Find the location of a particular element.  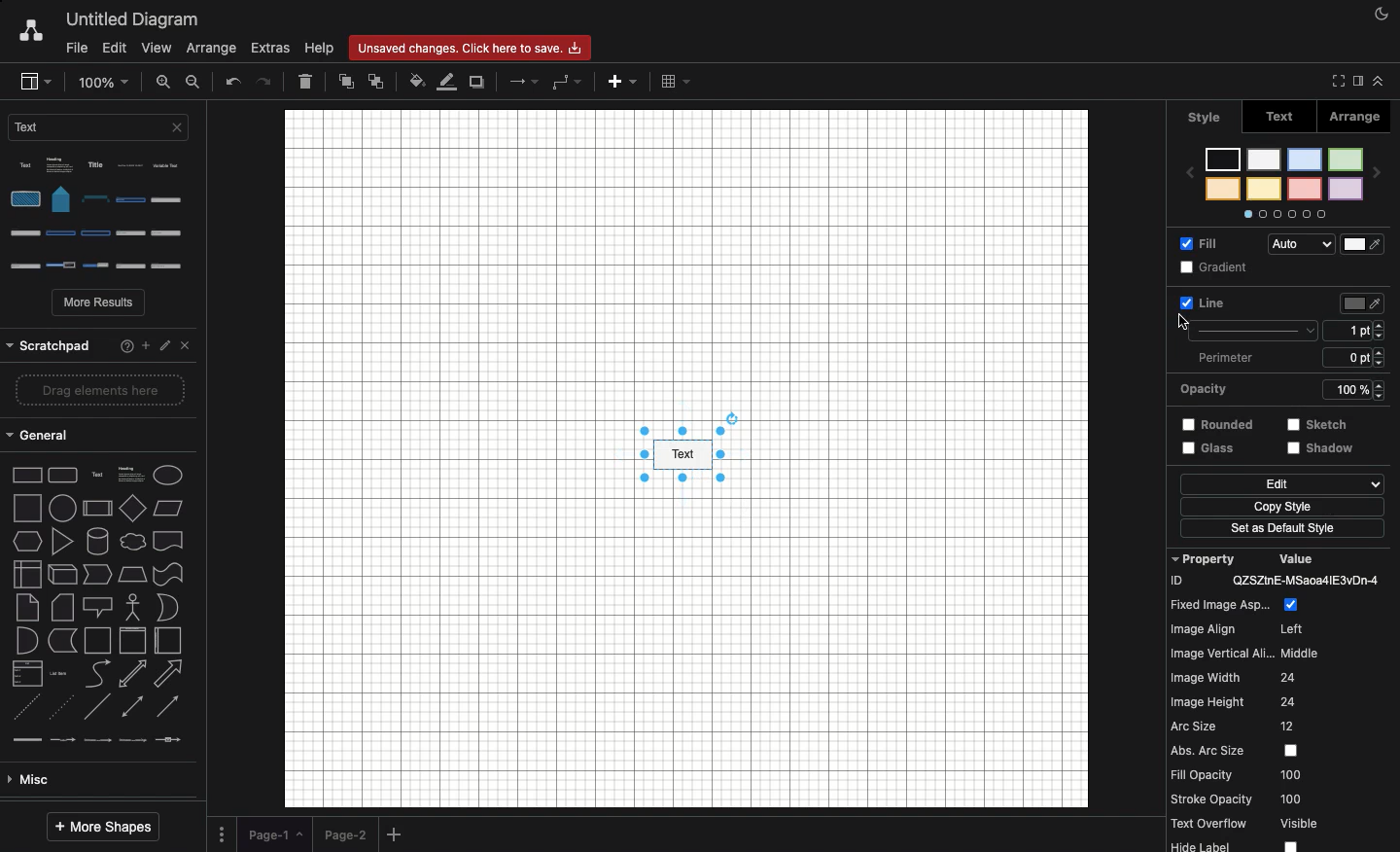

Selected is located at coordinates (1204, 301).